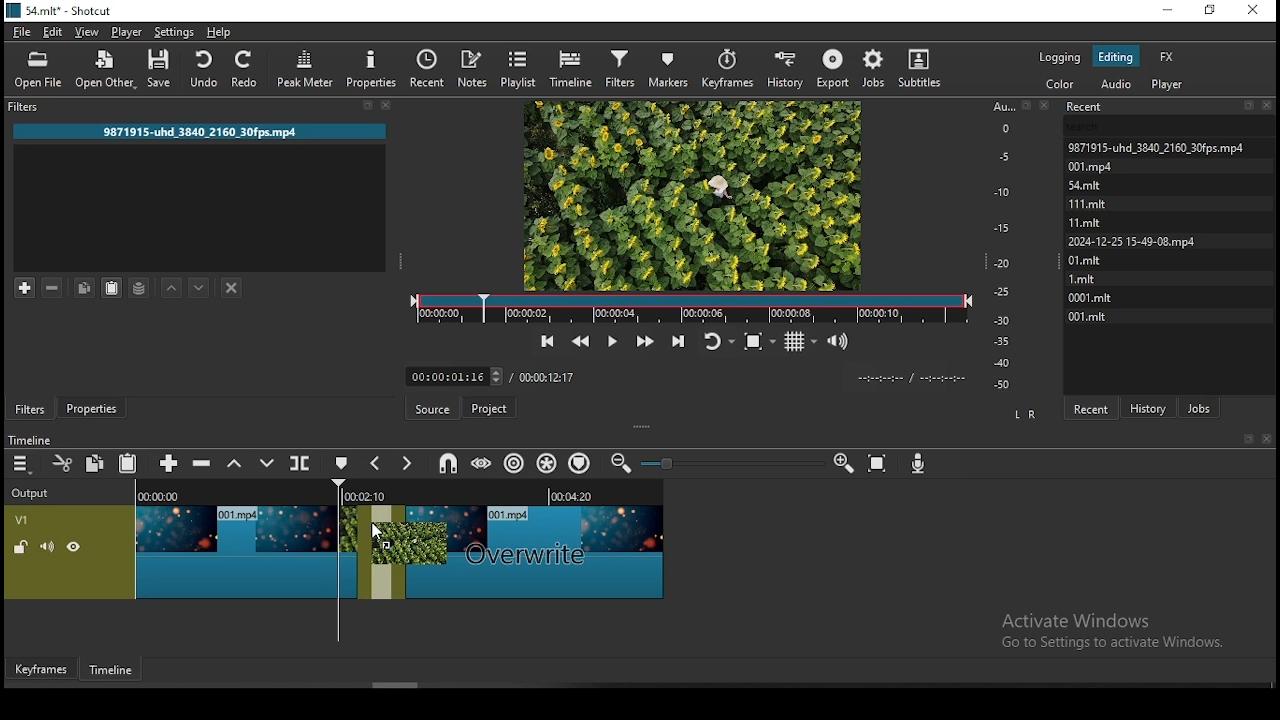 The height and width of the screenshot is (720, 1280). Describe the element at coordinates (203, 68) in the screenshot. I see `undo` at that location.